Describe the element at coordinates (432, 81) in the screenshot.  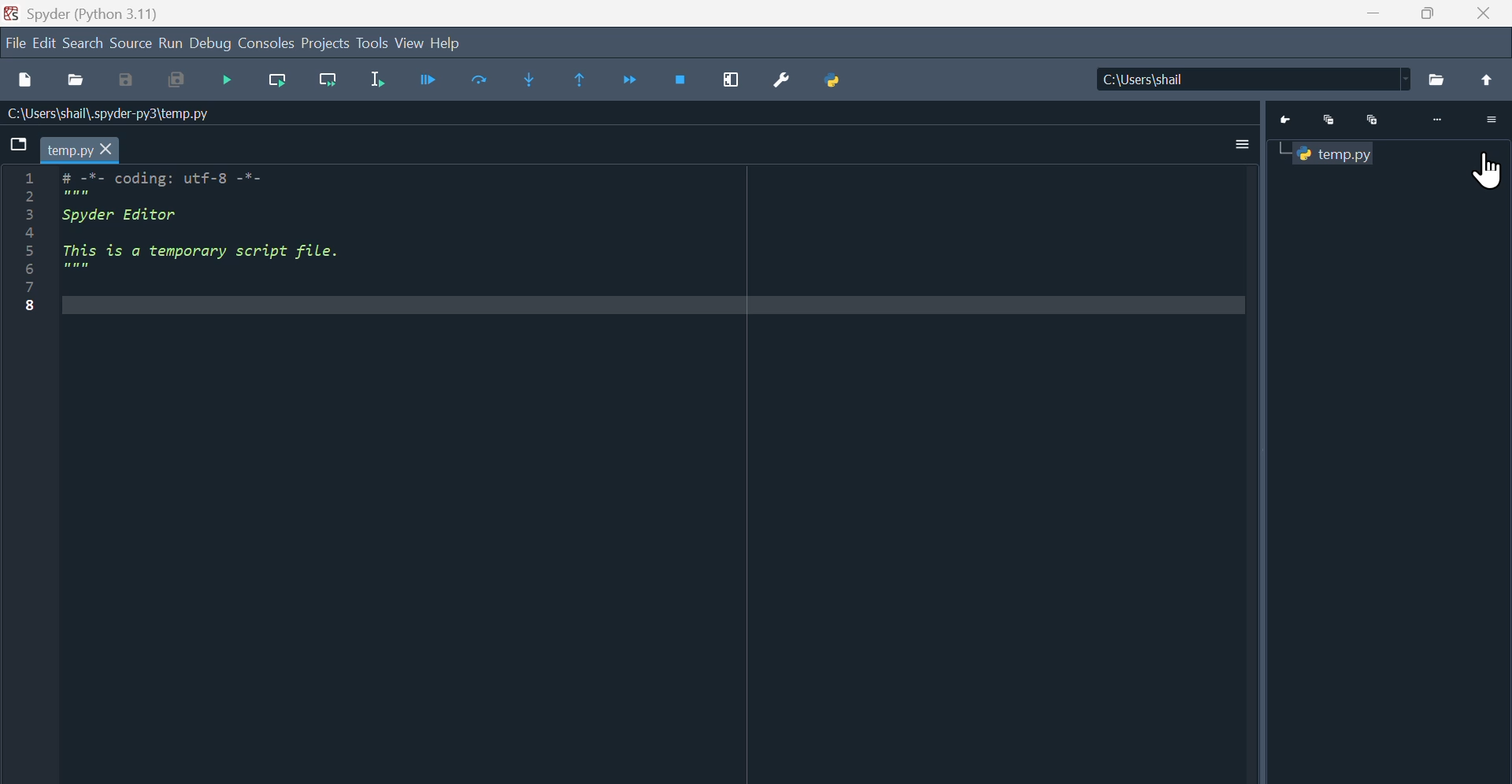
I see `Run cell` at that location.